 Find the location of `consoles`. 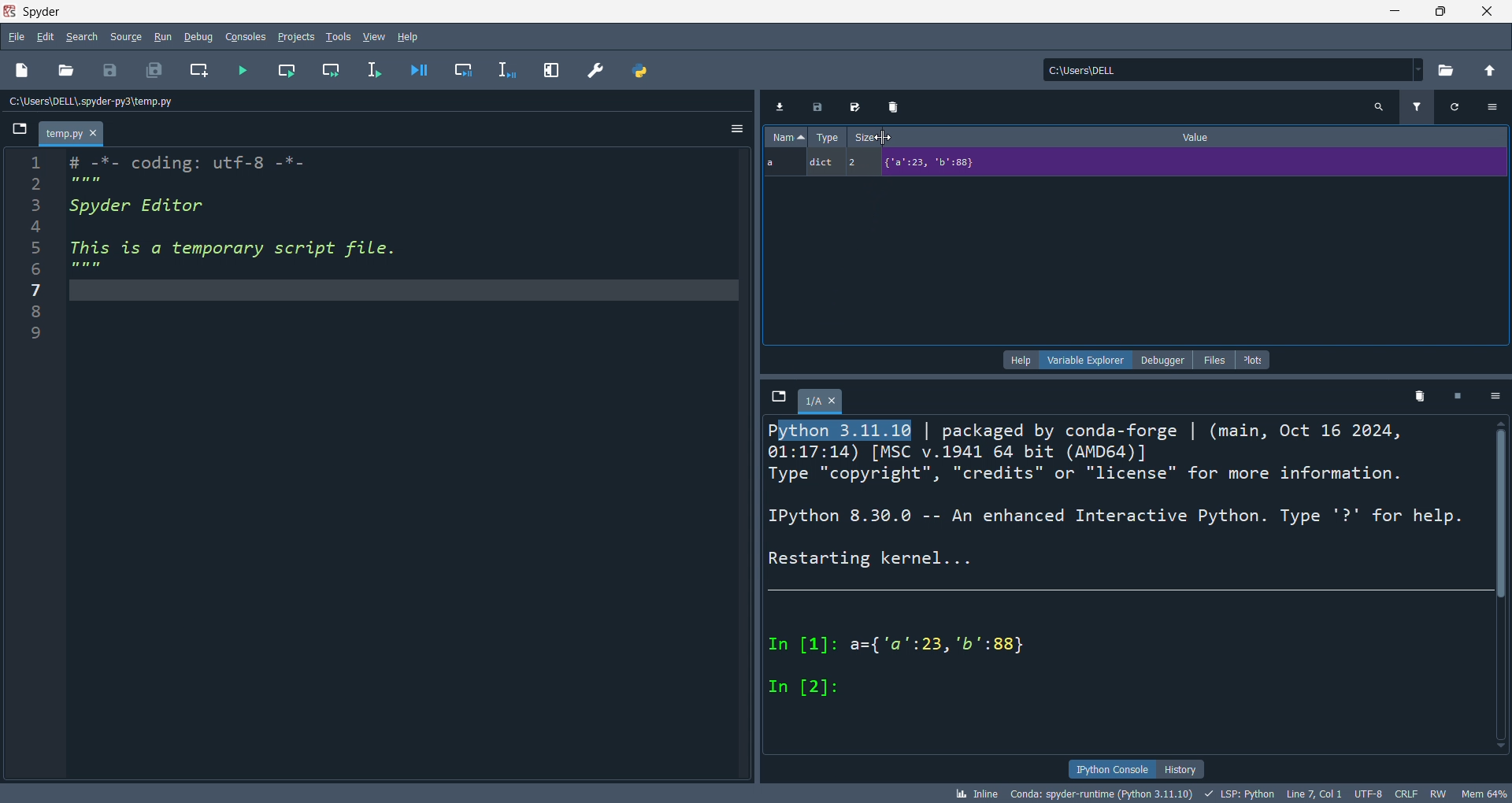

consoles is located at coordinates (239, 36).